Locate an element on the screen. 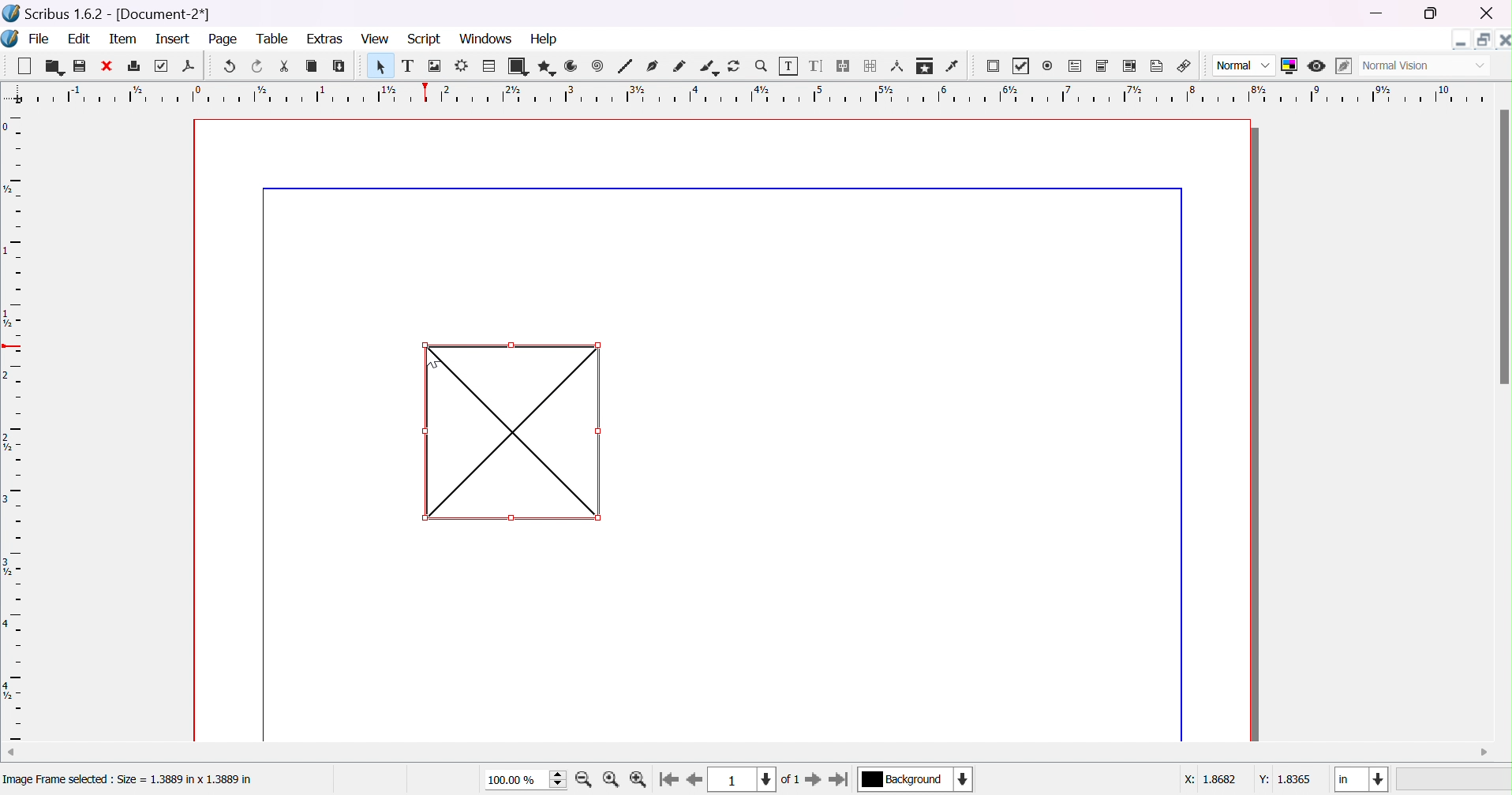 Image resolution: width=1512 pixels, height=795 pixels. Image Frame selected : Size = 1.3889 in x 1.3889 in is located at coordinates (129, 782).